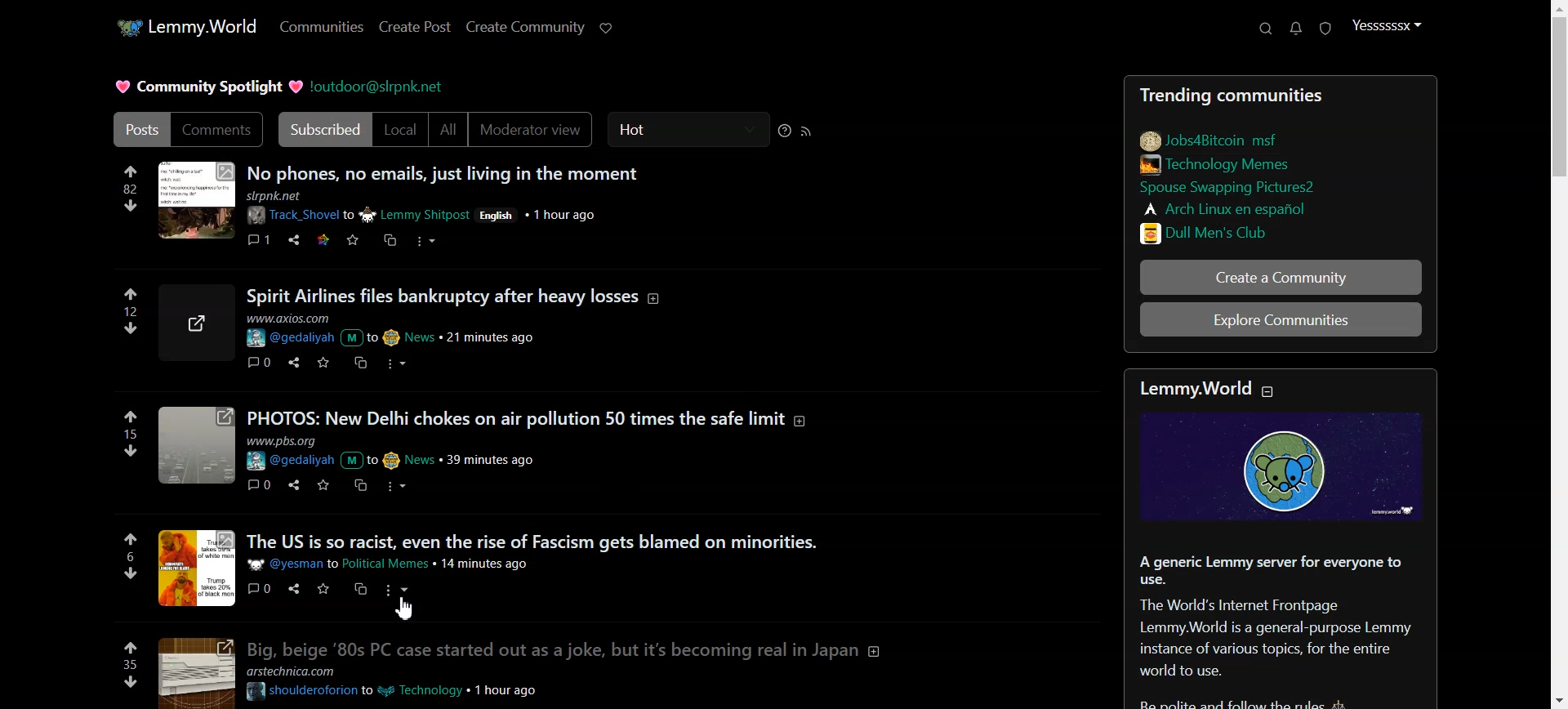 Image resolution: width=1568 pixels, height=709 pixels. I want to click on cross post, so click(389, 239).